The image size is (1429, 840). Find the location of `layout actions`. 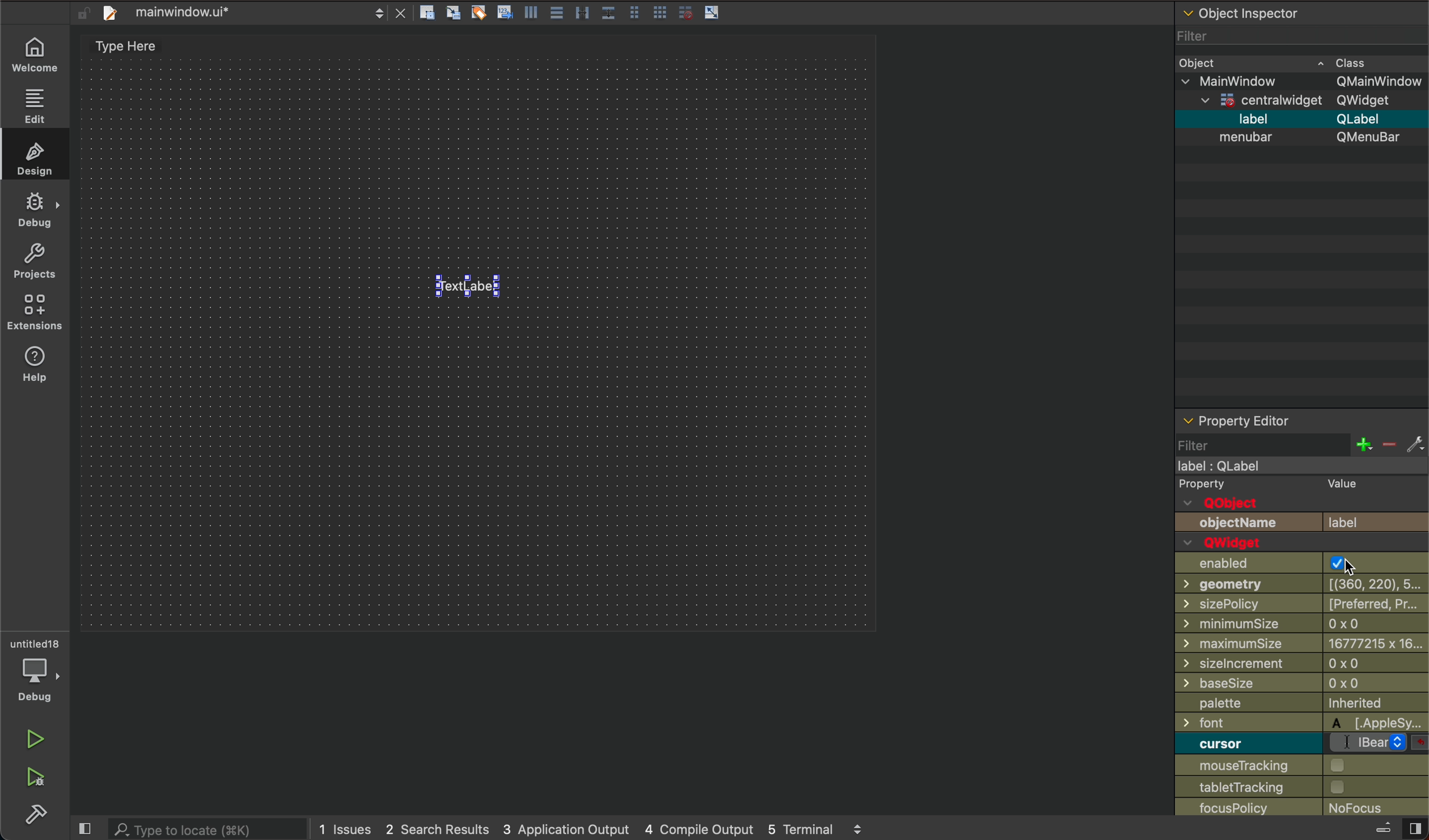

layout actions is located at coordinates (577, 12).